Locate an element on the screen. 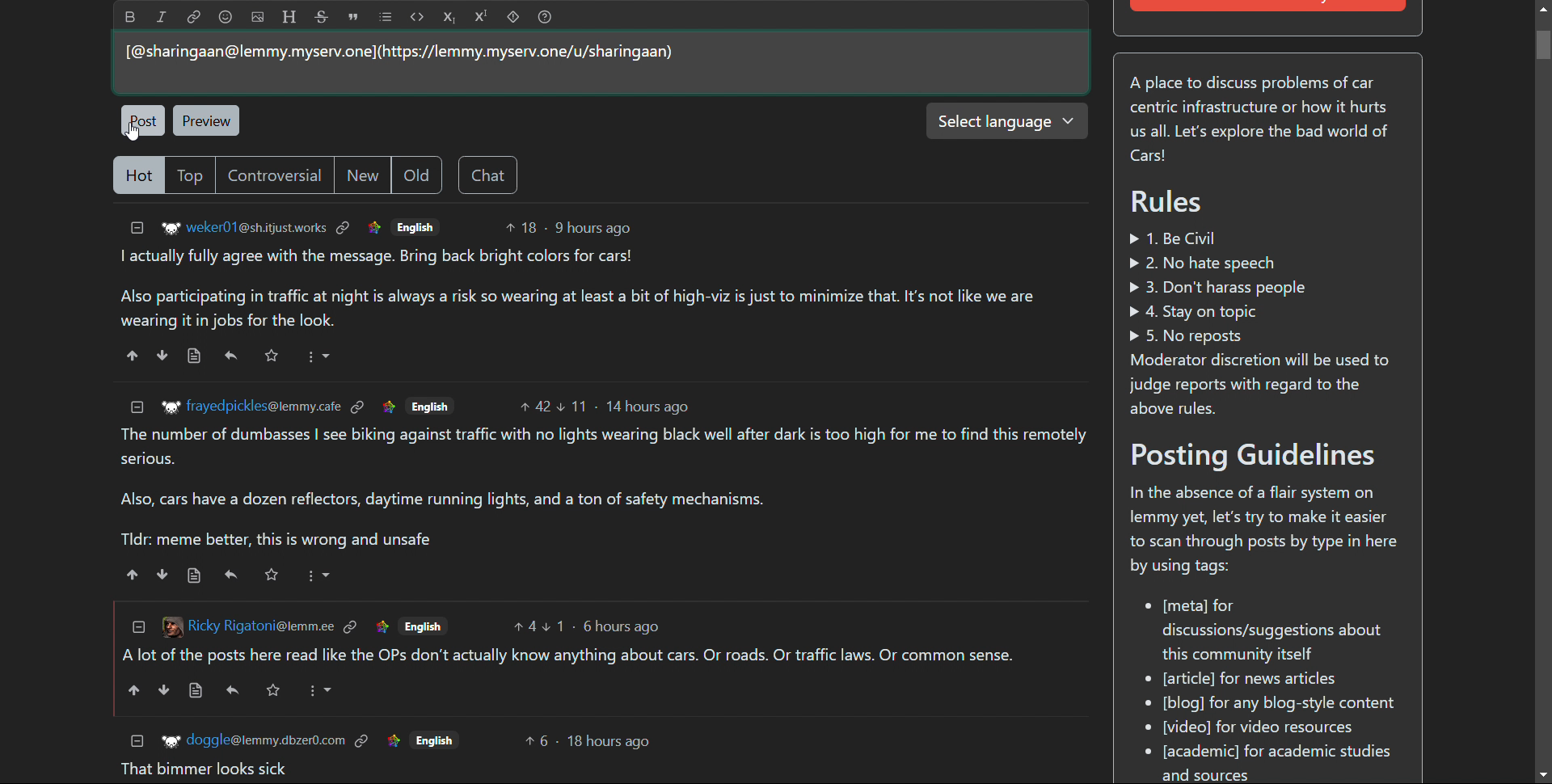  help is located at coordinates (544, 17).